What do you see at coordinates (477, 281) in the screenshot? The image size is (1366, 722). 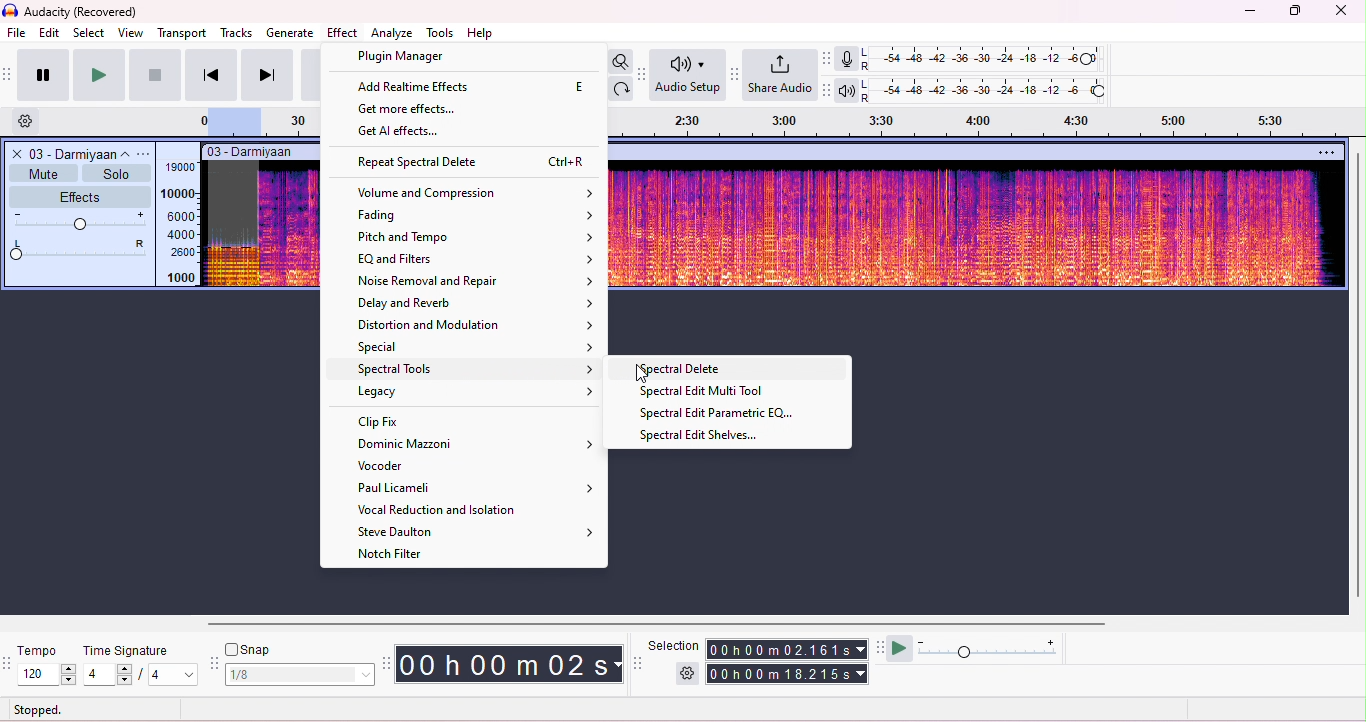 I see `noise removal and reoair` at bounding box center [477, 281].